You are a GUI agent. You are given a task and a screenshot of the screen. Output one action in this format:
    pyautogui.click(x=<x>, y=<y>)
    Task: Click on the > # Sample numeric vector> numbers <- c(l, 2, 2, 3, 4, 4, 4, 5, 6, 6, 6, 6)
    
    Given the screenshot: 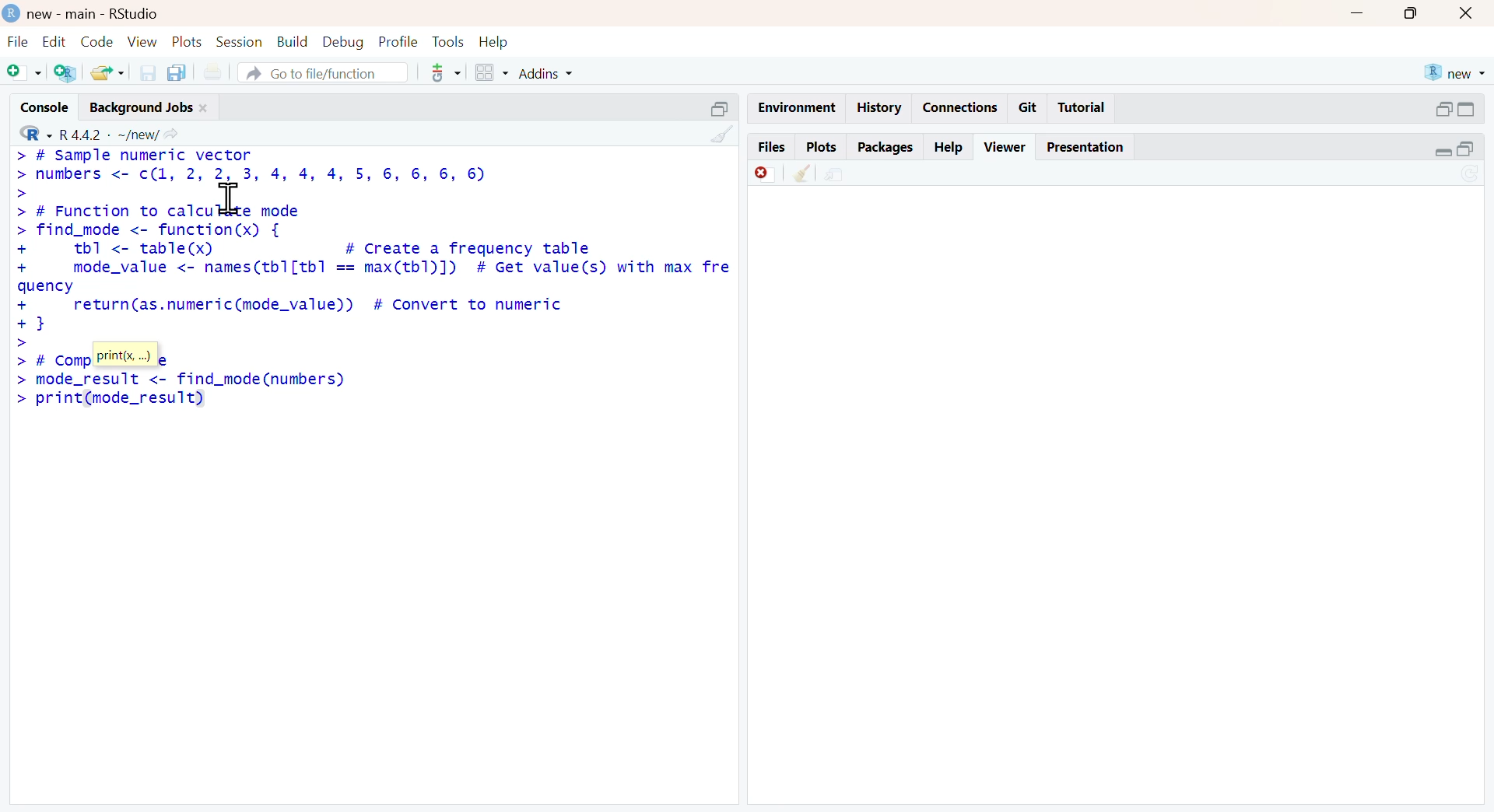 What is the action you would take?
    pyautogui.click(x=252, y=174)
    